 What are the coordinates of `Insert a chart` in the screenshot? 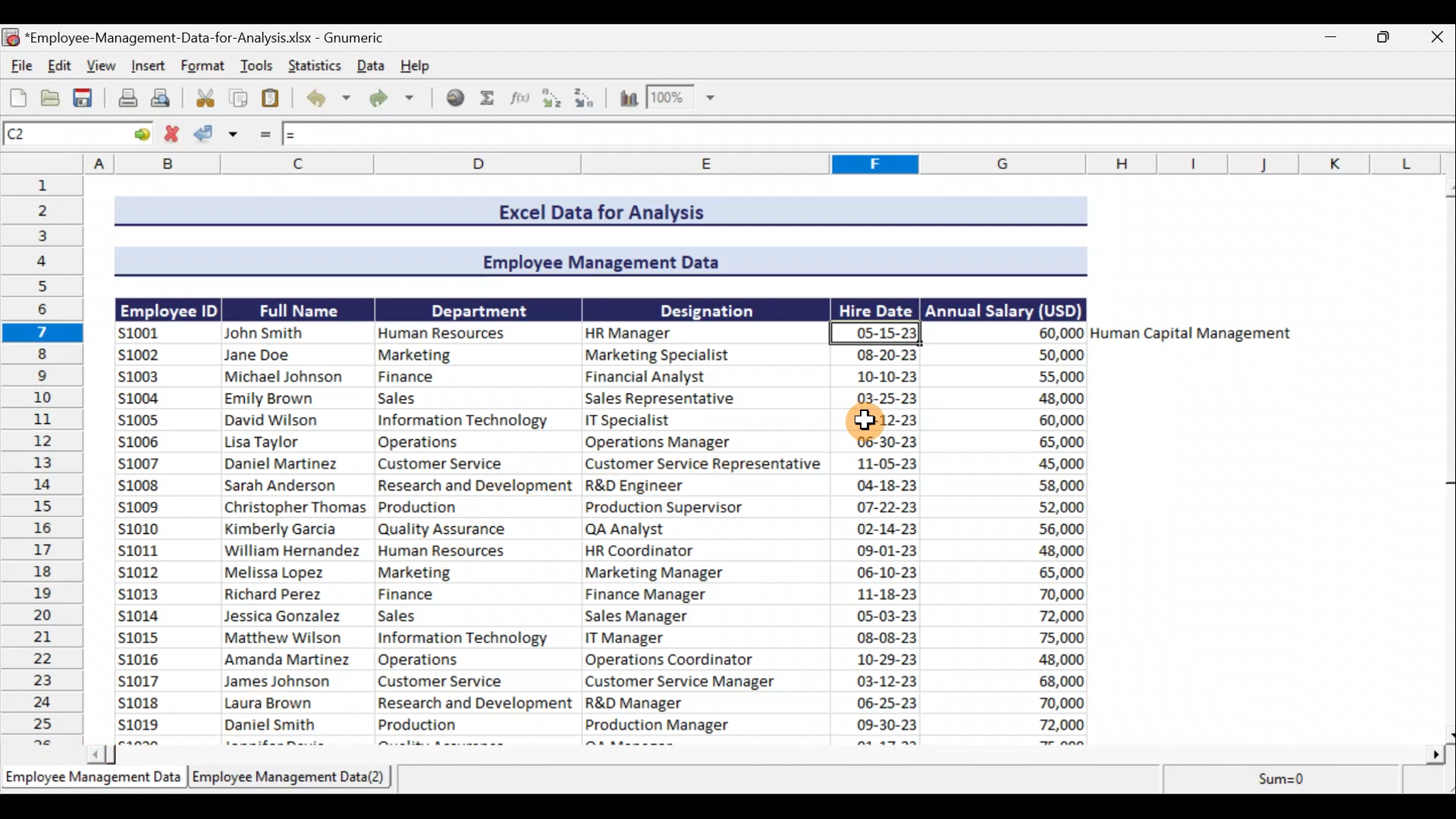 It's located at (629, 98).